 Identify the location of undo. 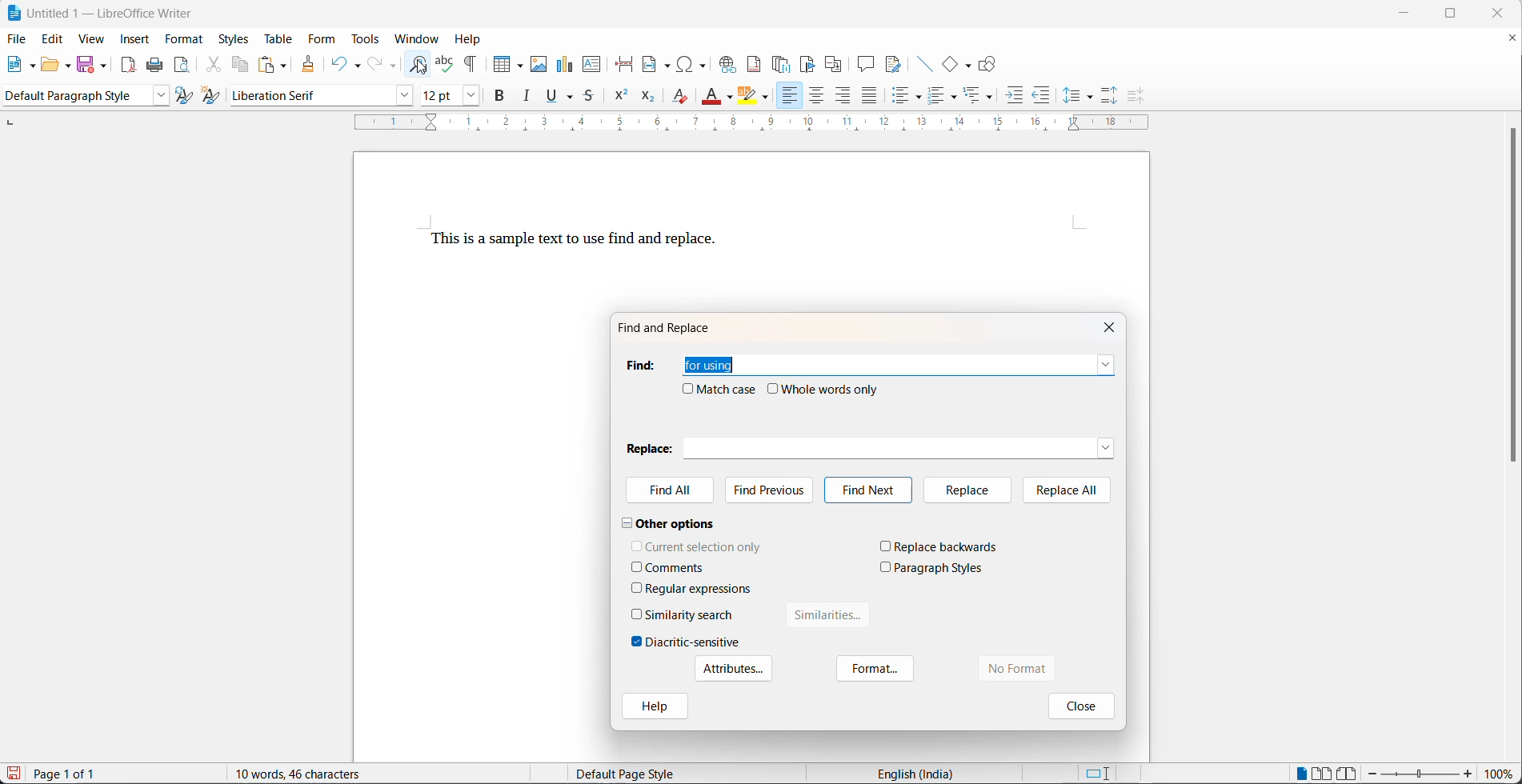
(338, 62).